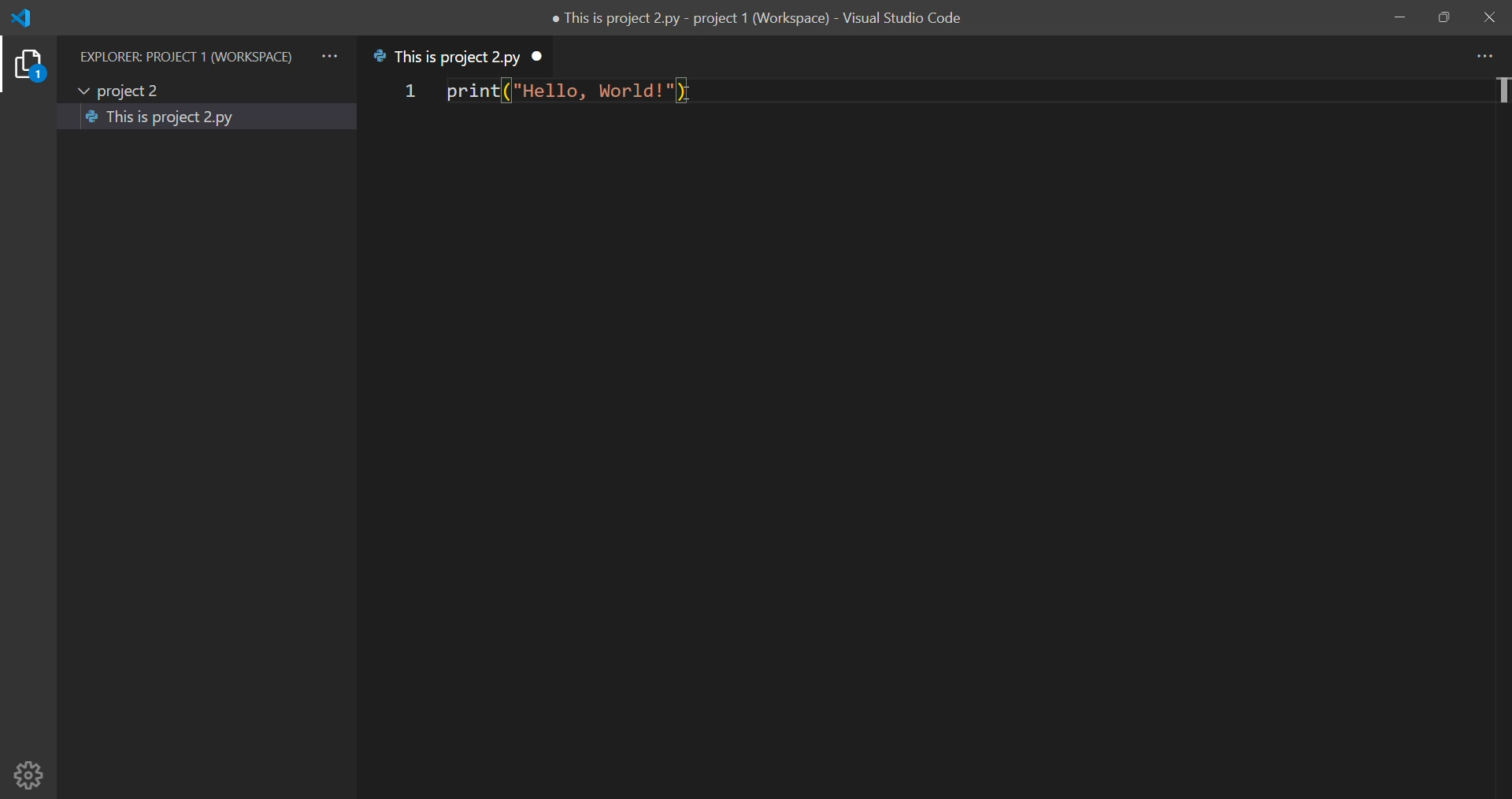  Describe the element at coordinates (1443, 17) in the screenshot. I see `maximize` at that location.